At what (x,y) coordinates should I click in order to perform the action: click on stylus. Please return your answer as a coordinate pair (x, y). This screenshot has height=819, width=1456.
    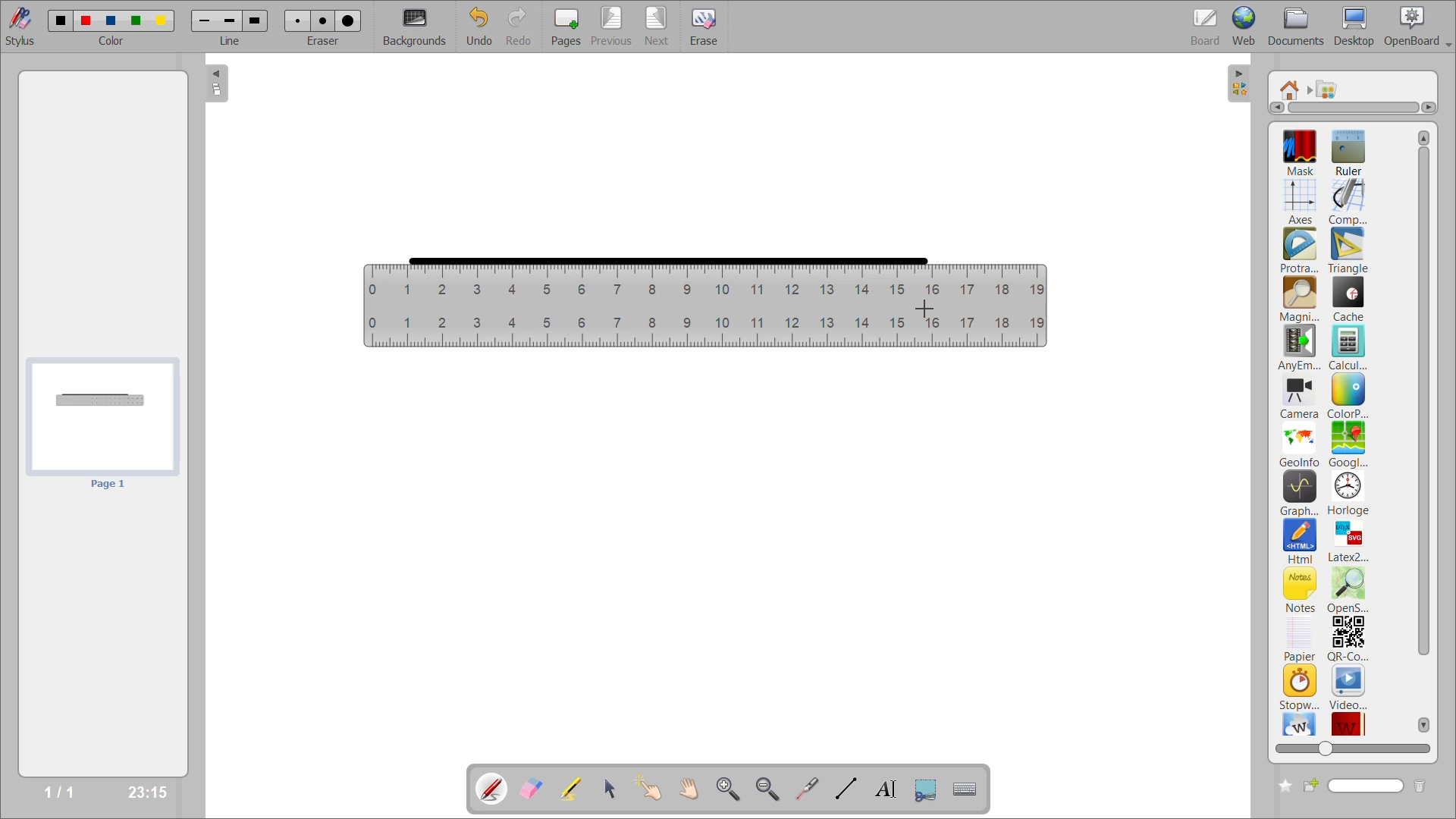
    Looking at the image, I should click on (17, 24).